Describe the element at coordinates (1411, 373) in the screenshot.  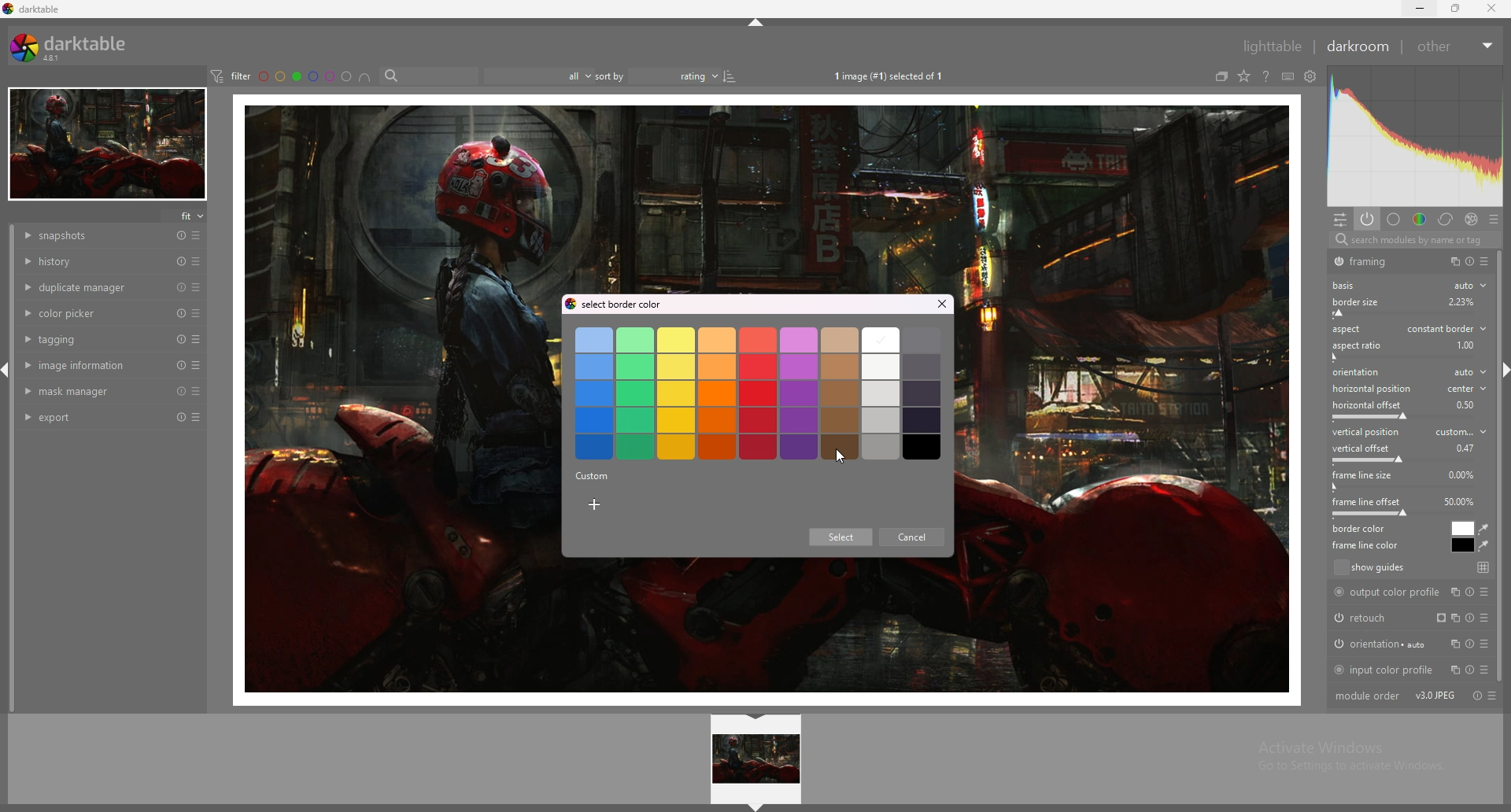
I see `orientation` at that location.